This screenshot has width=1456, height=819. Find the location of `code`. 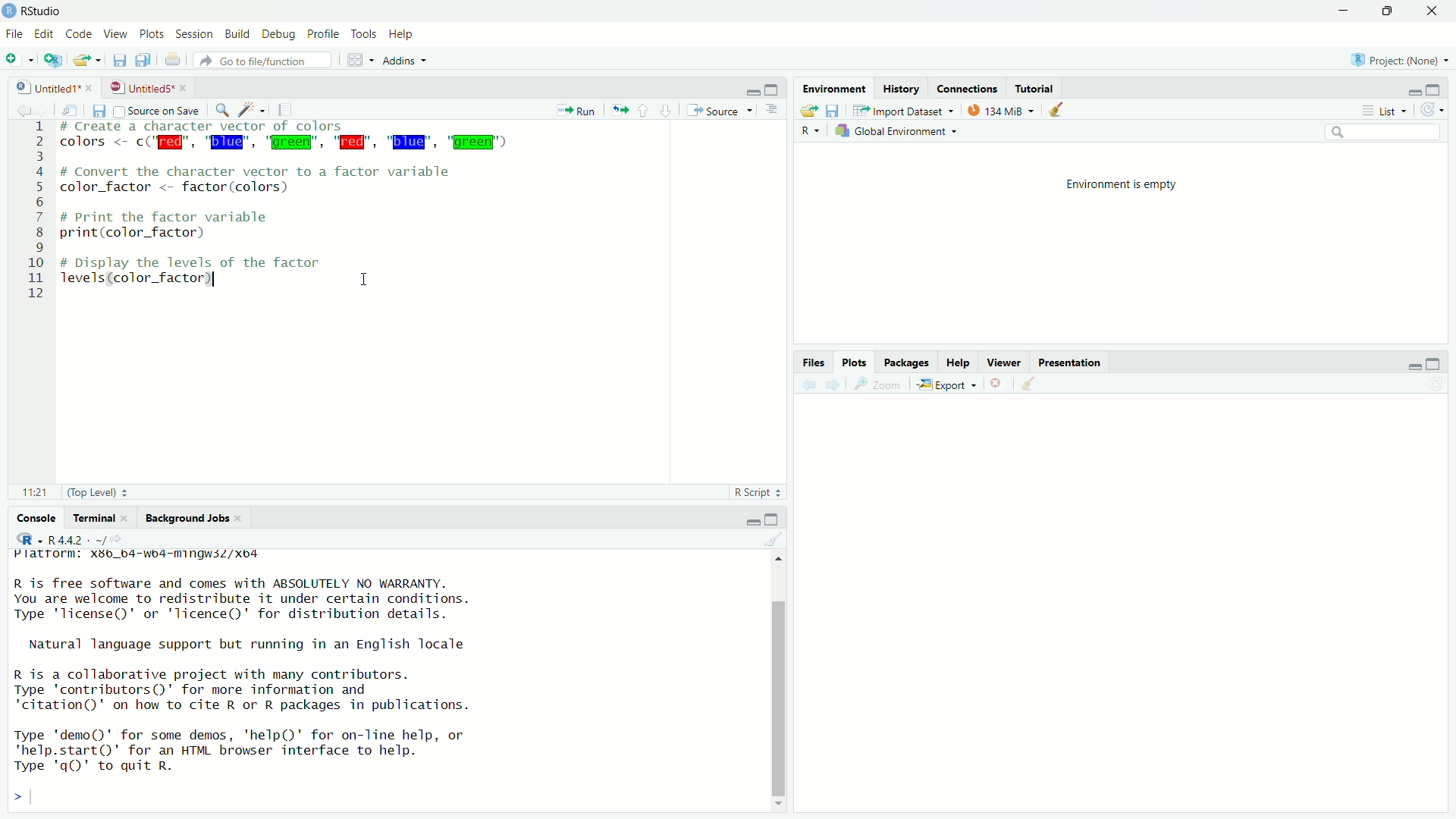

code is located at coordinates (79, 35).